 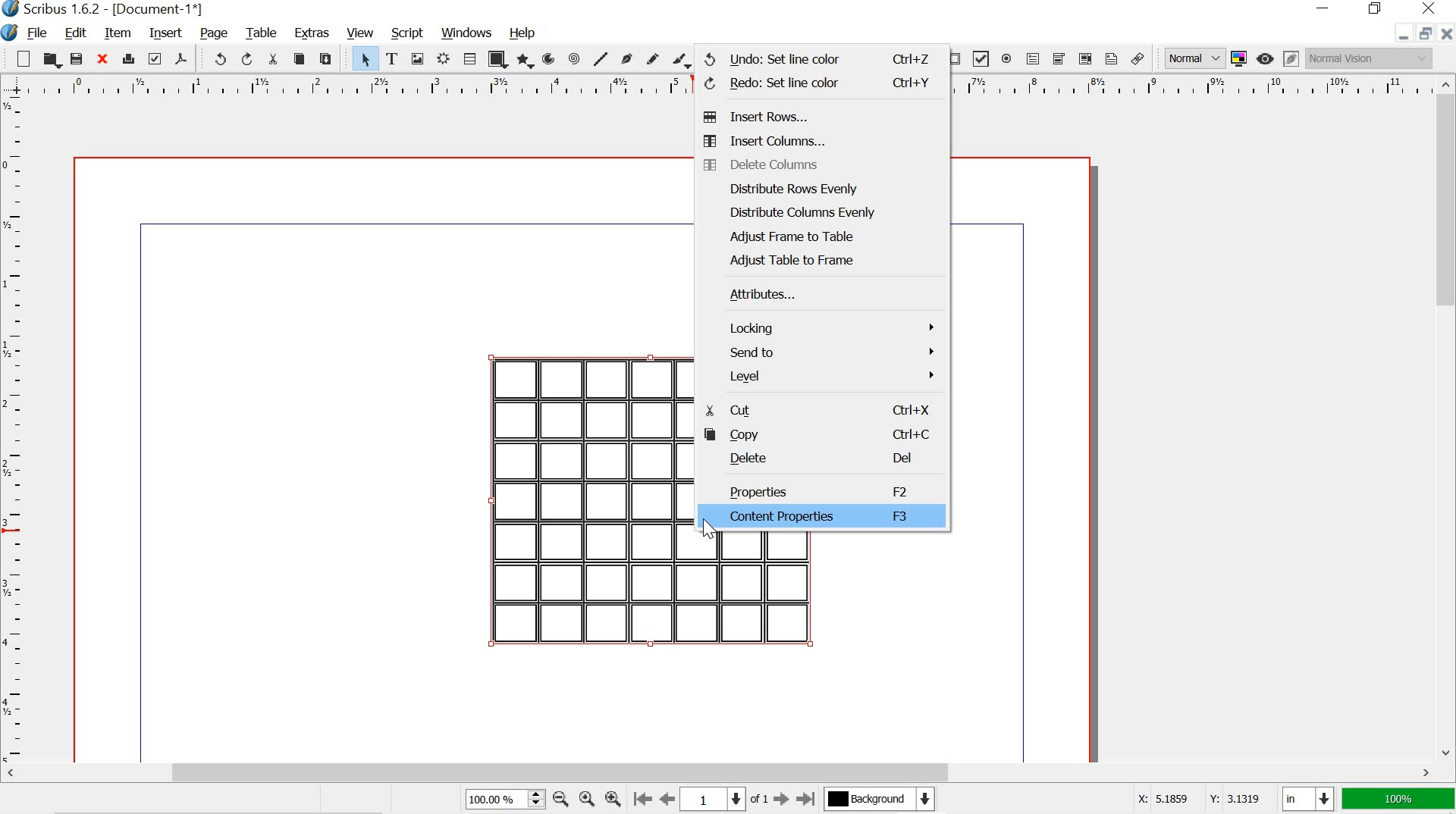 What do you see at coordinates (1446, 33) in the screenshot?
I see `close` at bounding box center [1446, 33].